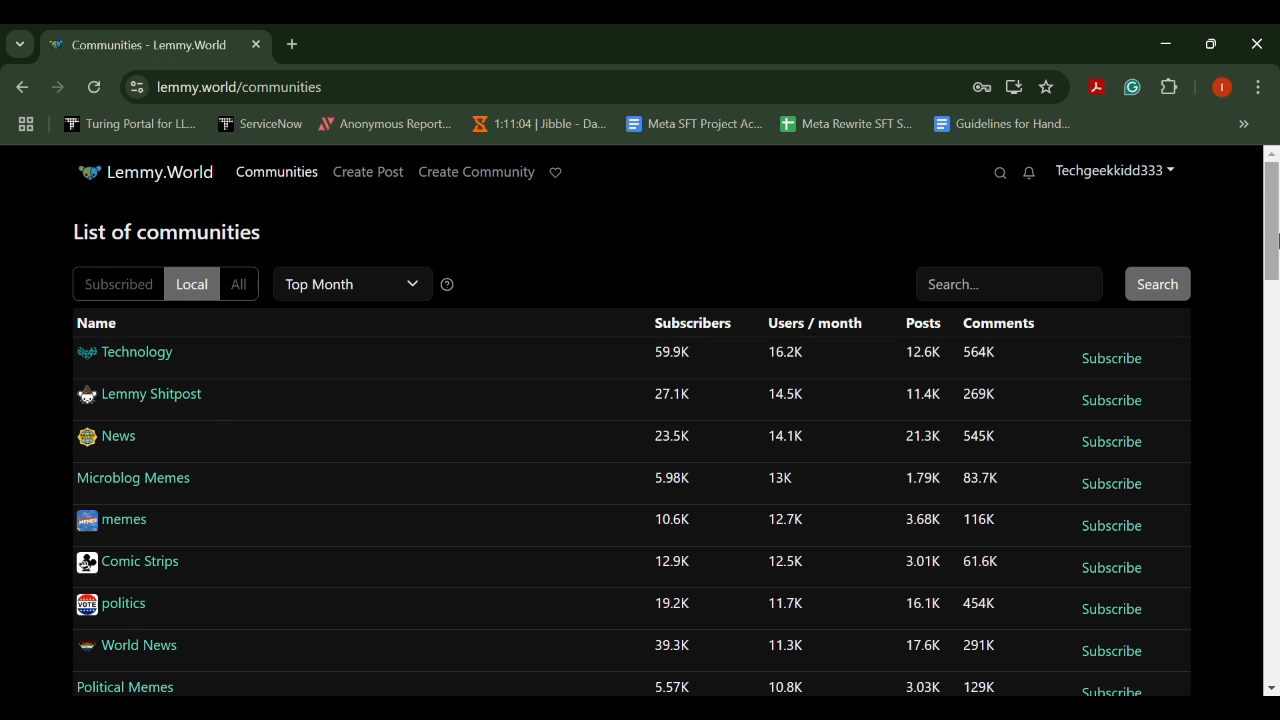 The height and width of the screenshot is (720, 1280). I want to click on News, so click(109, 438).